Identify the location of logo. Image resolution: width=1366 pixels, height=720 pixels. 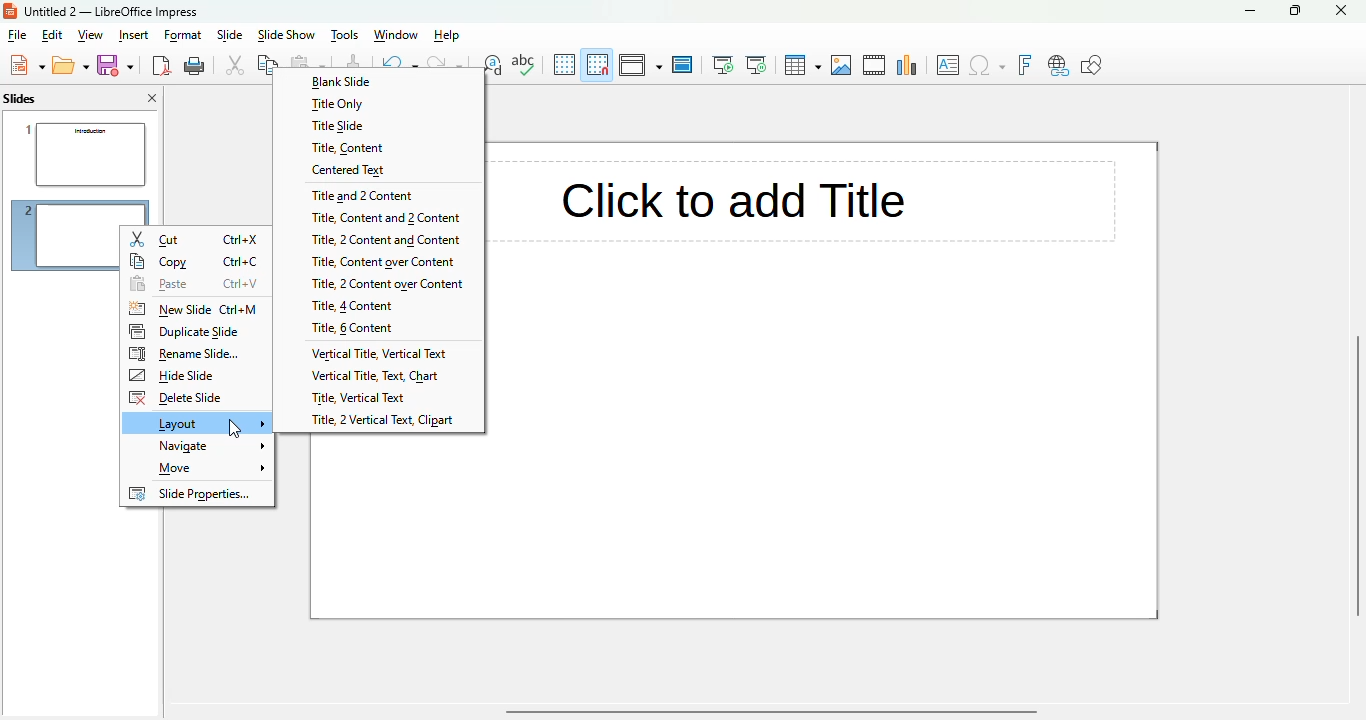
(10, 10).